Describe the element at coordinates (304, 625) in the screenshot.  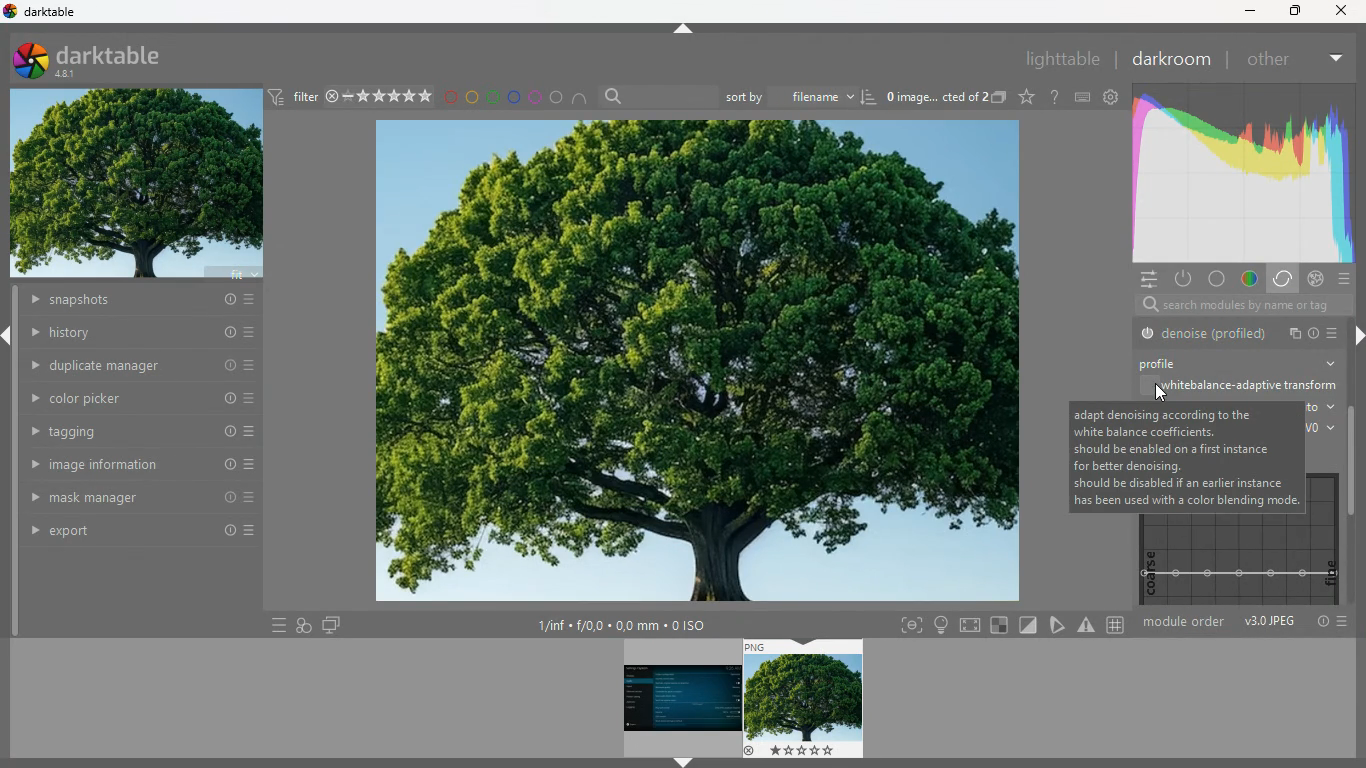
I see `images` at that location.